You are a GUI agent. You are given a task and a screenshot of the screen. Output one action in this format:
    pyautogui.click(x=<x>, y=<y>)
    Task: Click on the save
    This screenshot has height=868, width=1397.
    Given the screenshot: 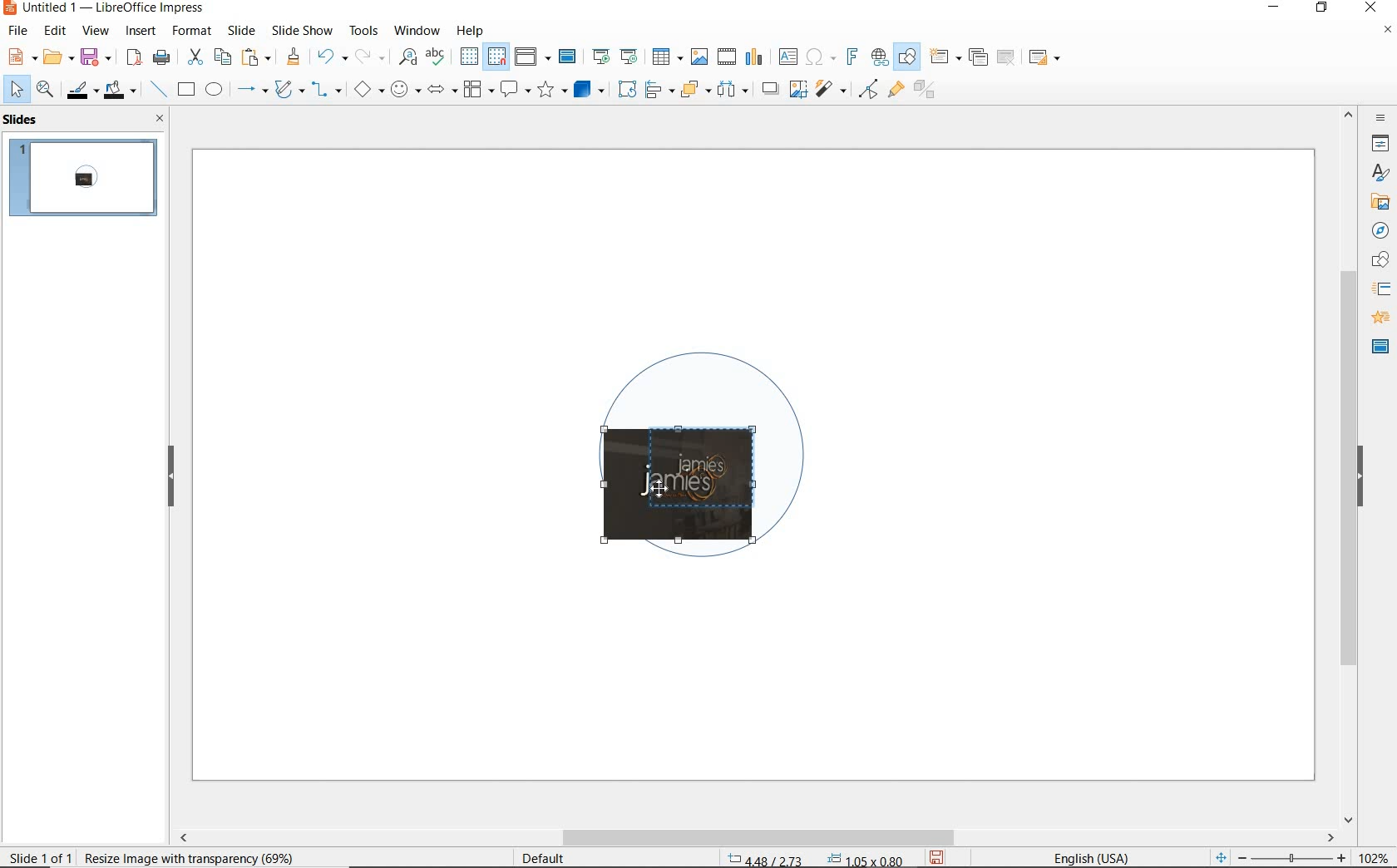 What is the action you would take?
    pyautogui.click(x=96, y=56)
    